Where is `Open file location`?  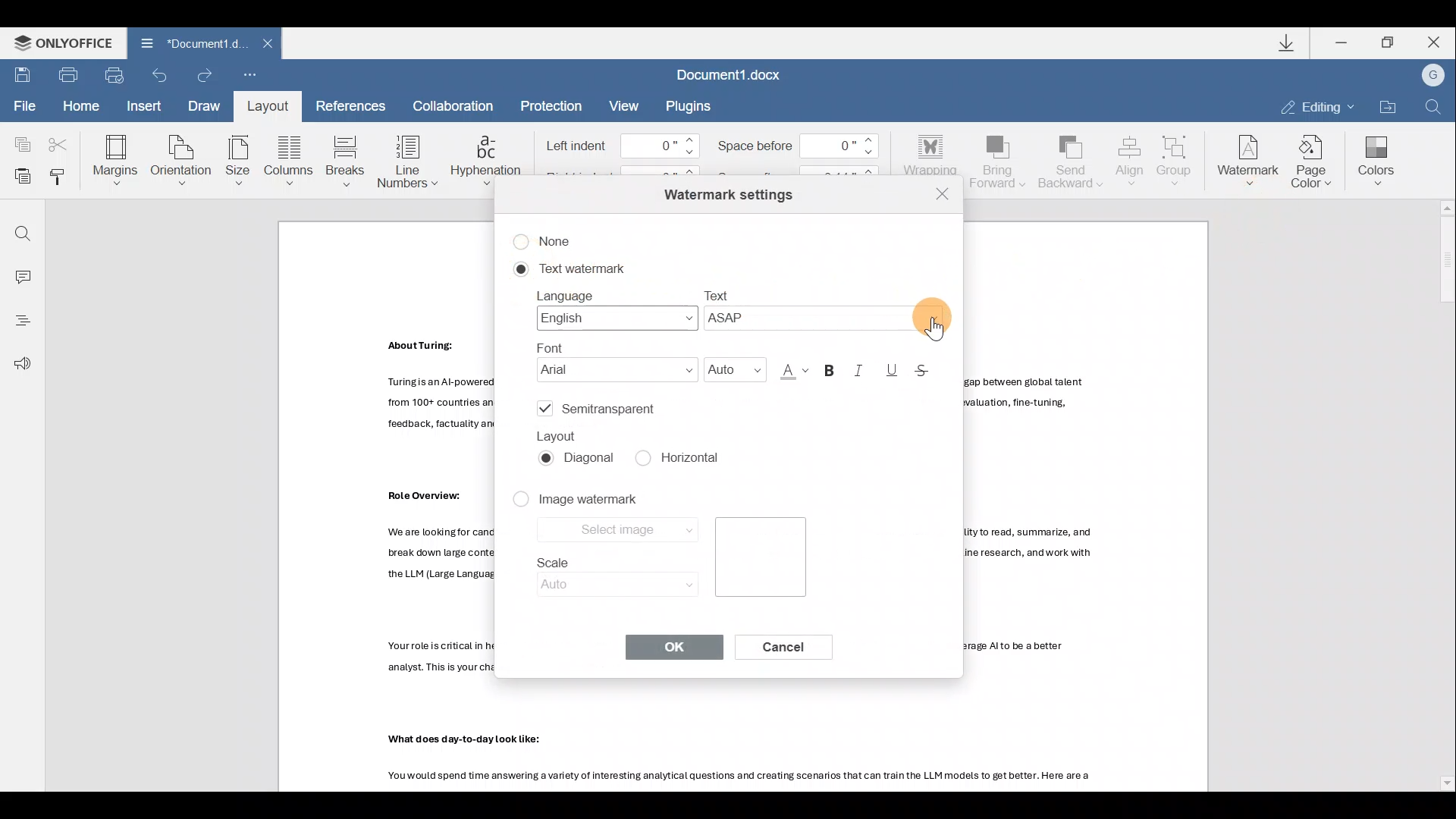
Open file location is located at coordinates (1385, 102).